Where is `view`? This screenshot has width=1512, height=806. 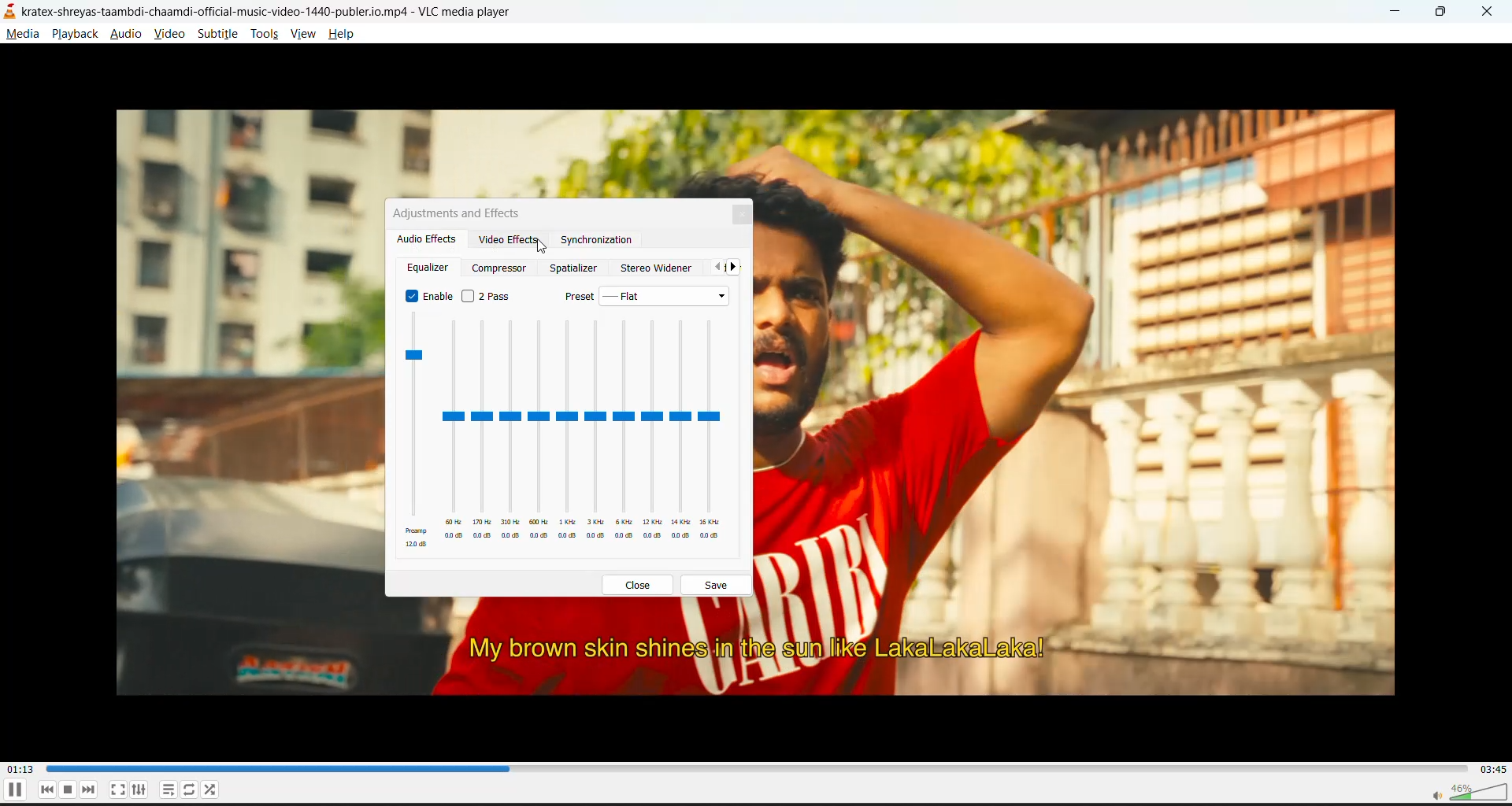
view is located at coordinates (305, 35).